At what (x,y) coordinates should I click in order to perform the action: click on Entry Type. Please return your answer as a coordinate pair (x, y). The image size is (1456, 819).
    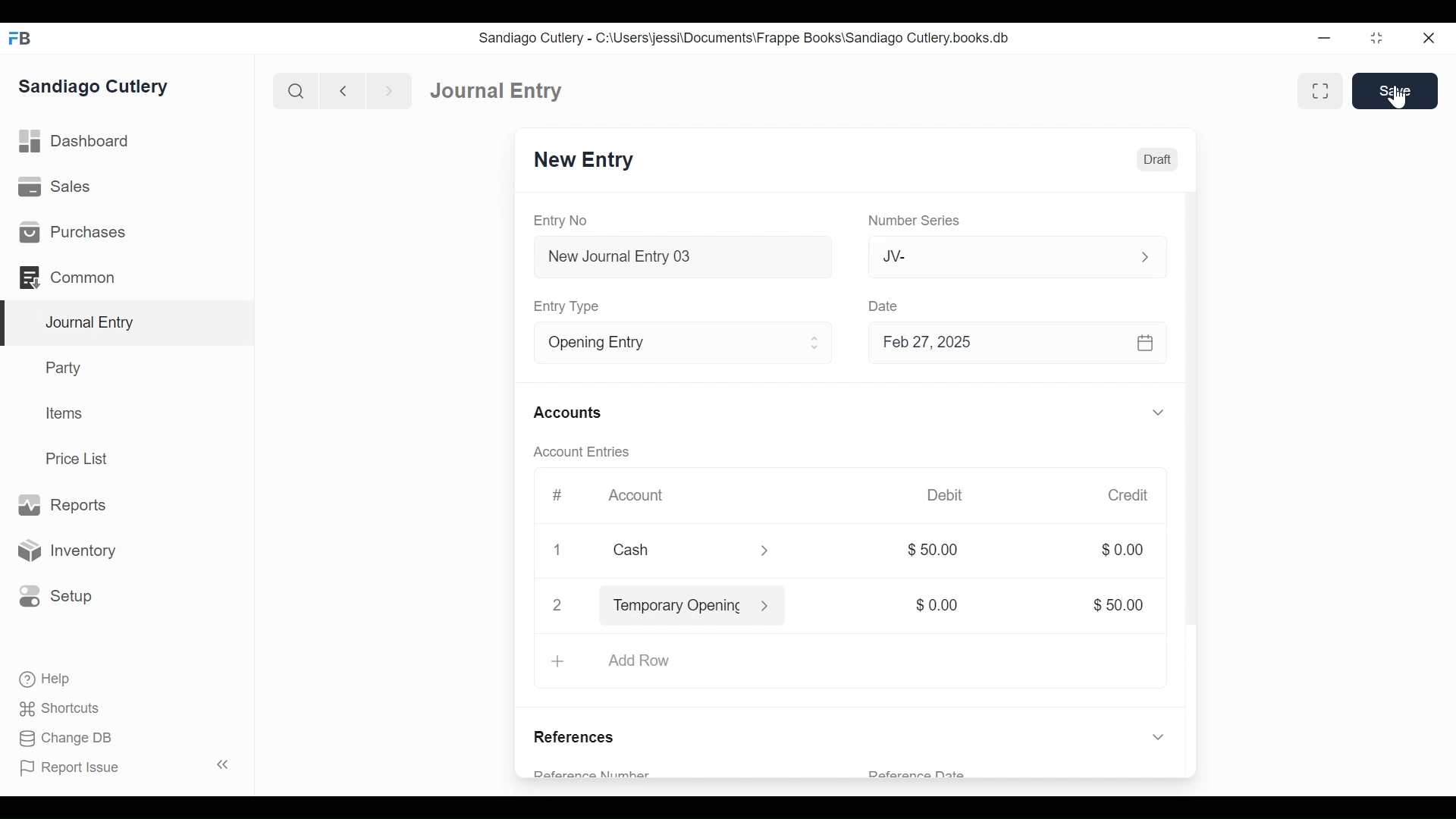
    Looking at the image, I should click on (570, 307).